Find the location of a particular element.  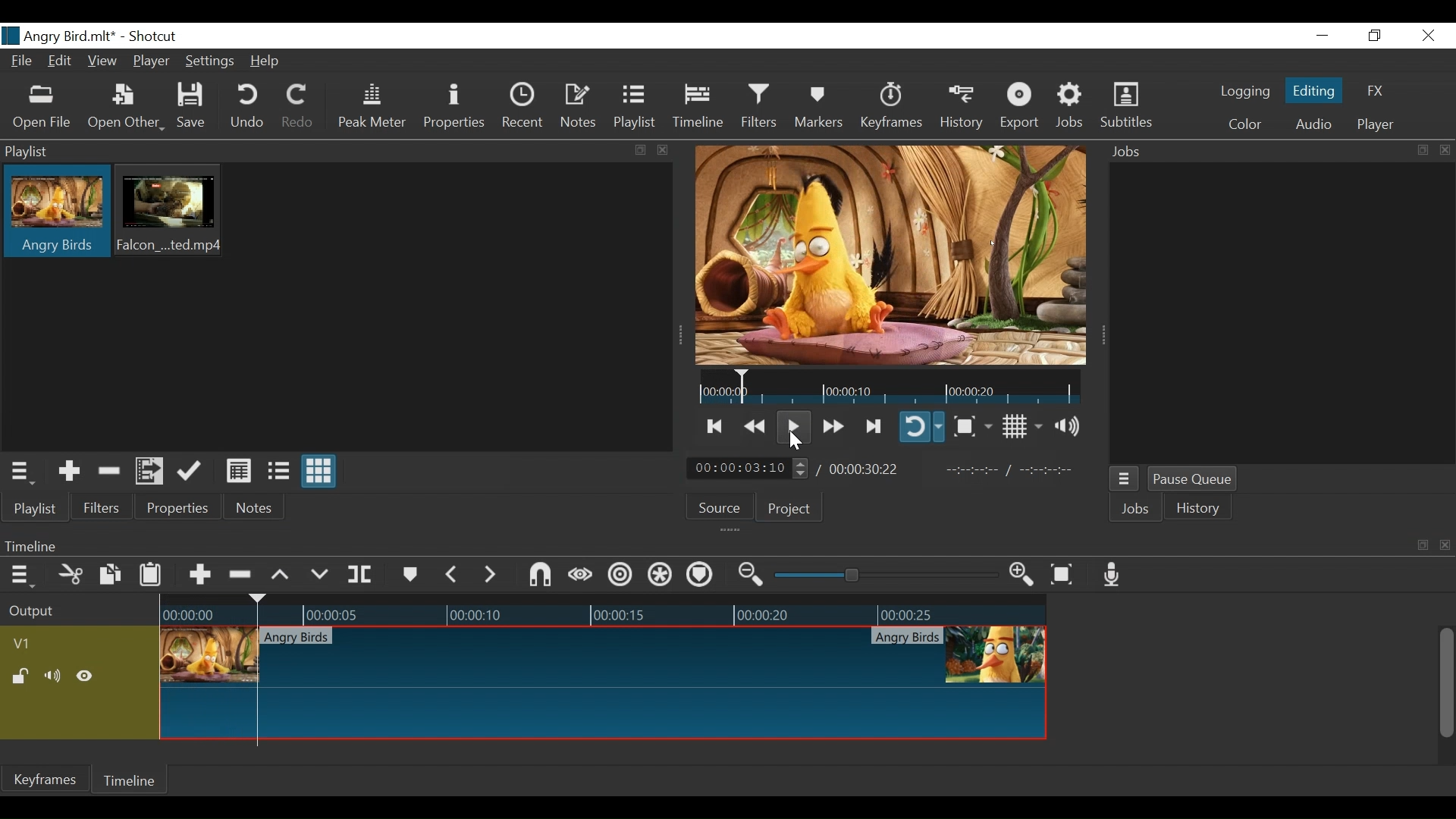

Undo is located at coordinates (249, 108).